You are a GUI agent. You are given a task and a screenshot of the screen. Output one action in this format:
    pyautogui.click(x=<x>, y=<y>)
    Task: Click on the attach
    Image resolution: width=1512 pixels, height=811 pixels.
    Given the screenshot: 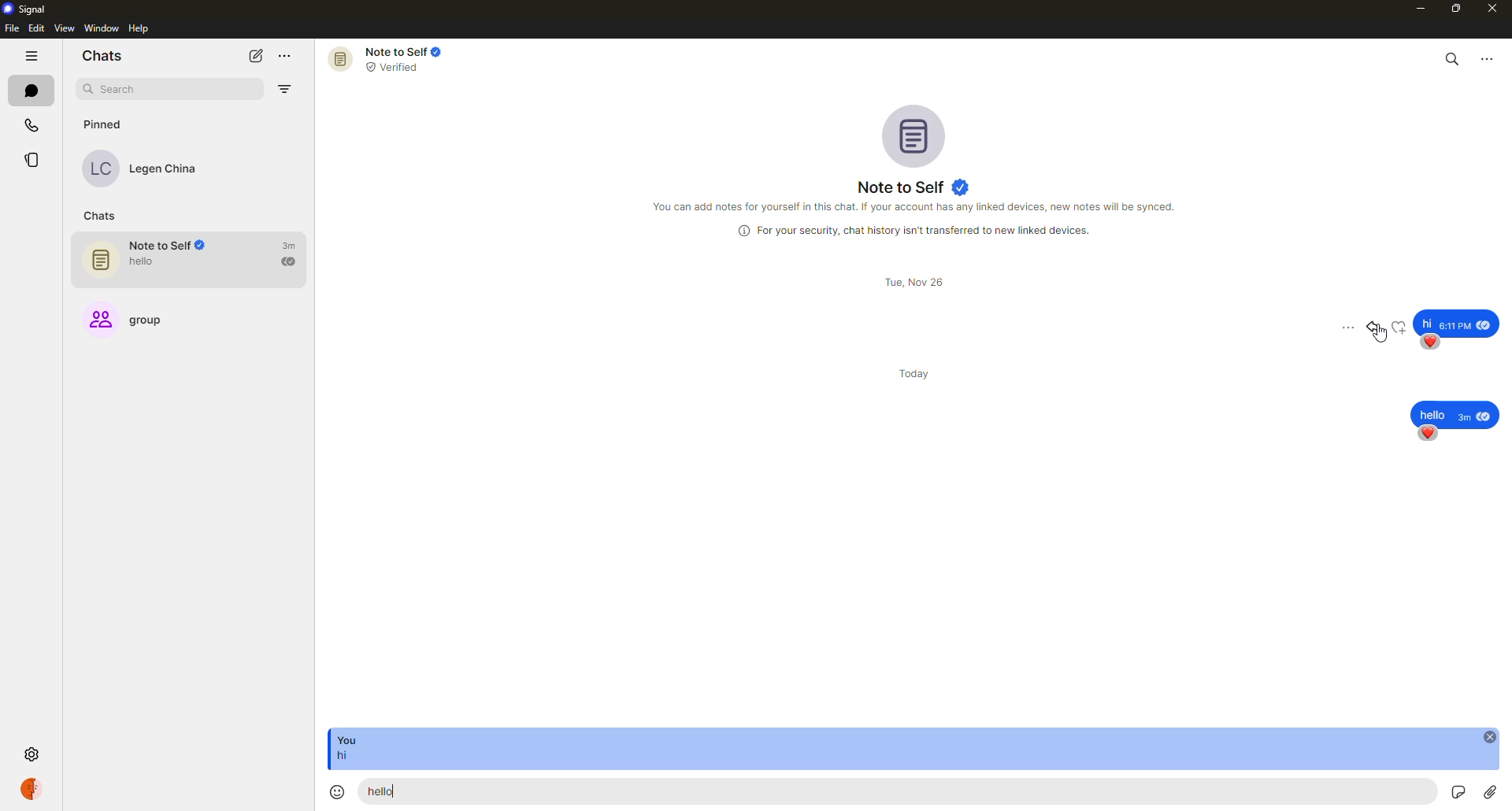 What is the action you would take?
    pyautogui.click(x=1492, y=791)
    